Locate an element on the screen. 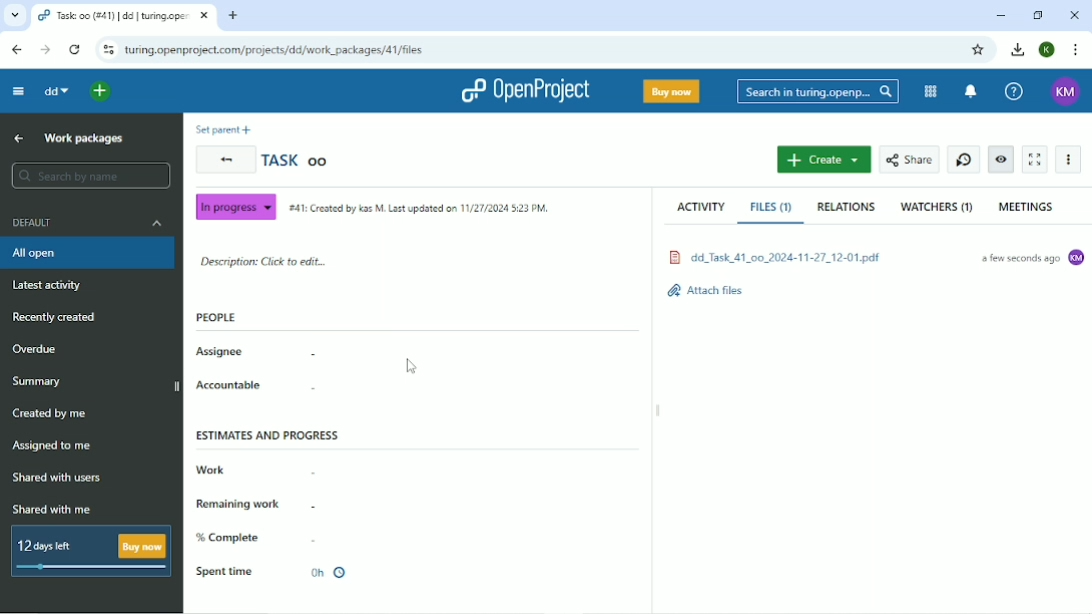 The image size is (1092, 614). KM is located at coordinates (1067, 92).